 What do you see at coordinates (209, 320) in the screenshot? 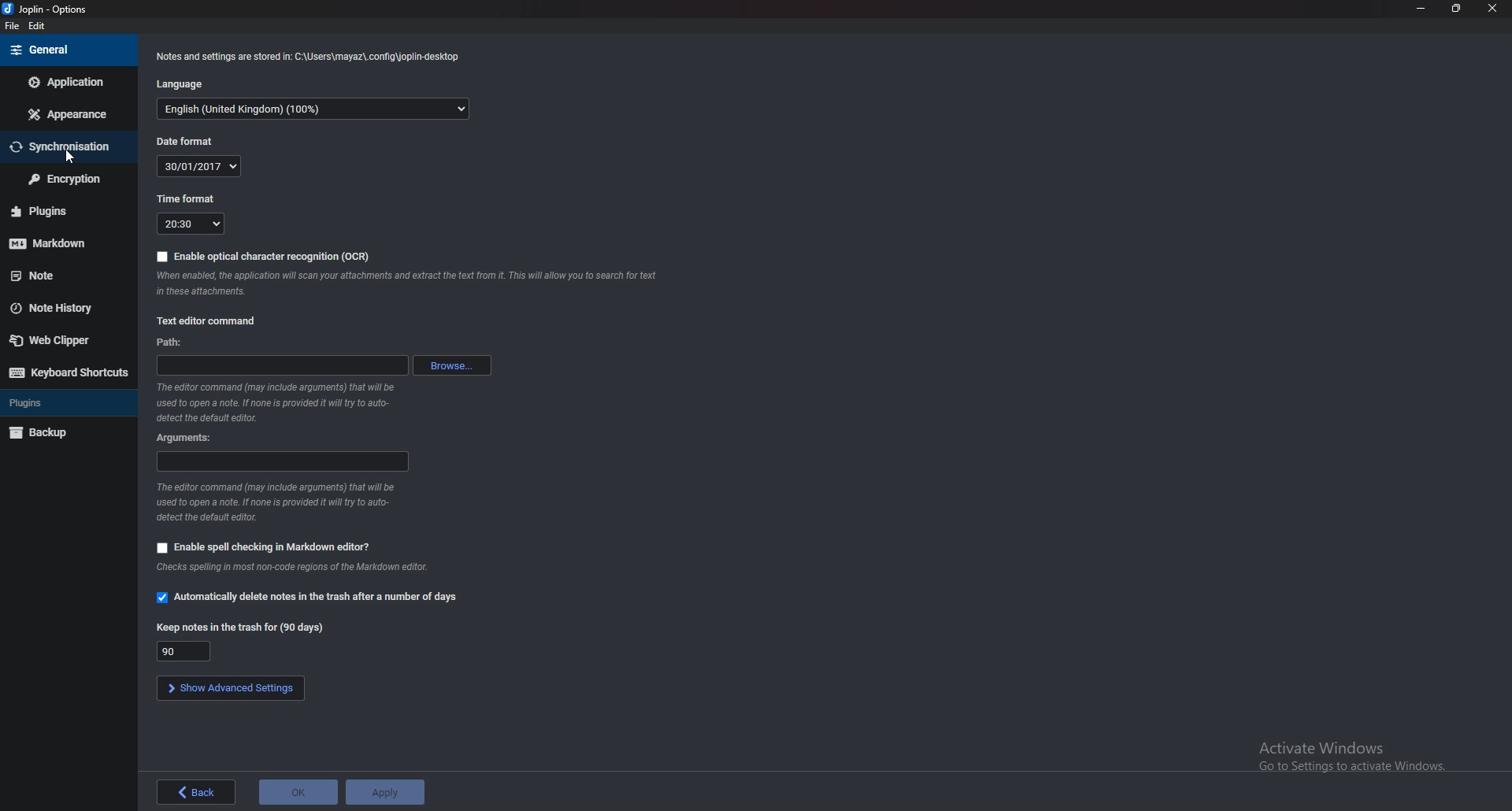
I see `text editor command` at bounding box center [209, 320].